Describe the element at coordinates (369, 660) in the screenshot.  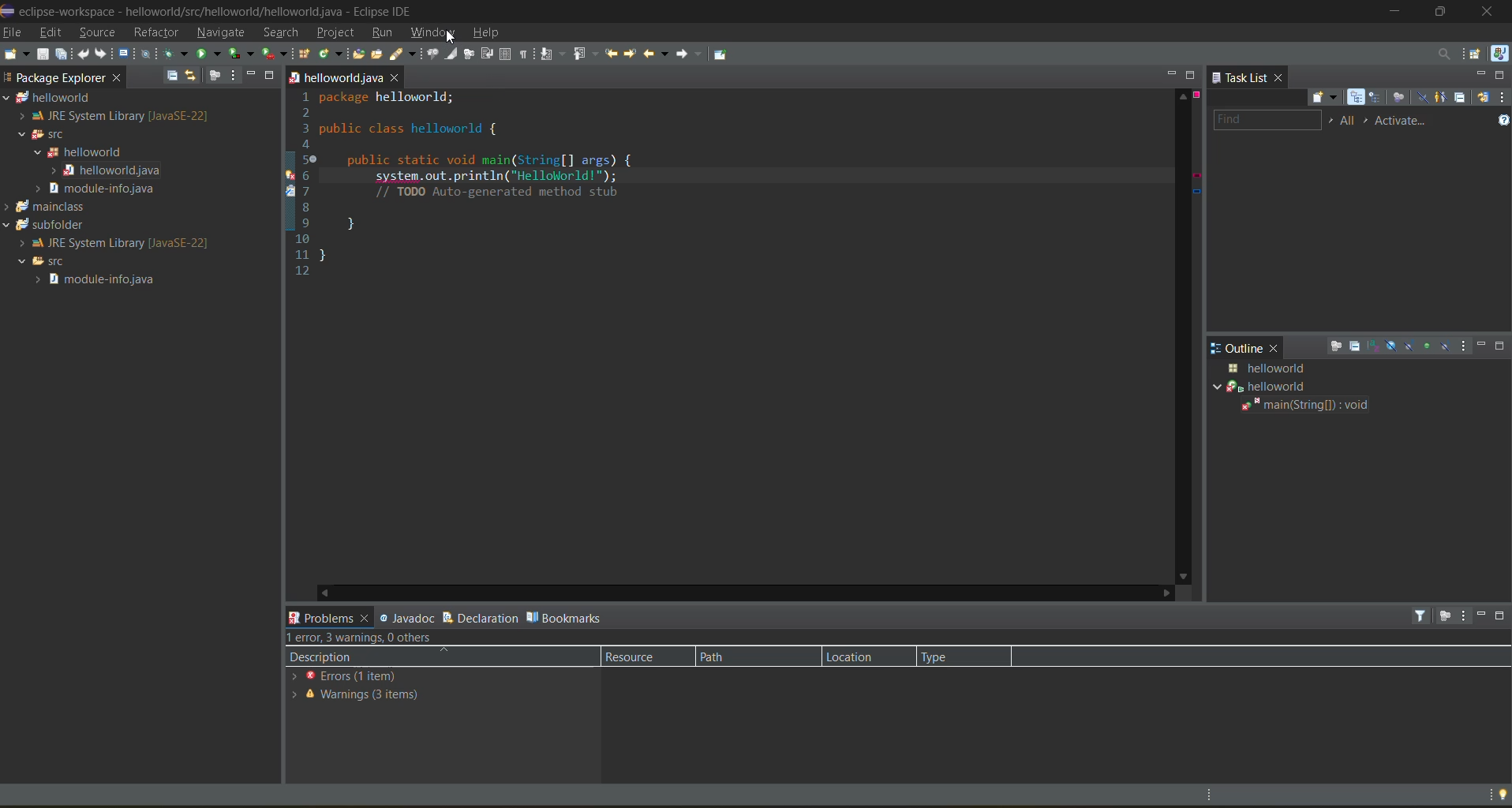
I see `description` at that location.